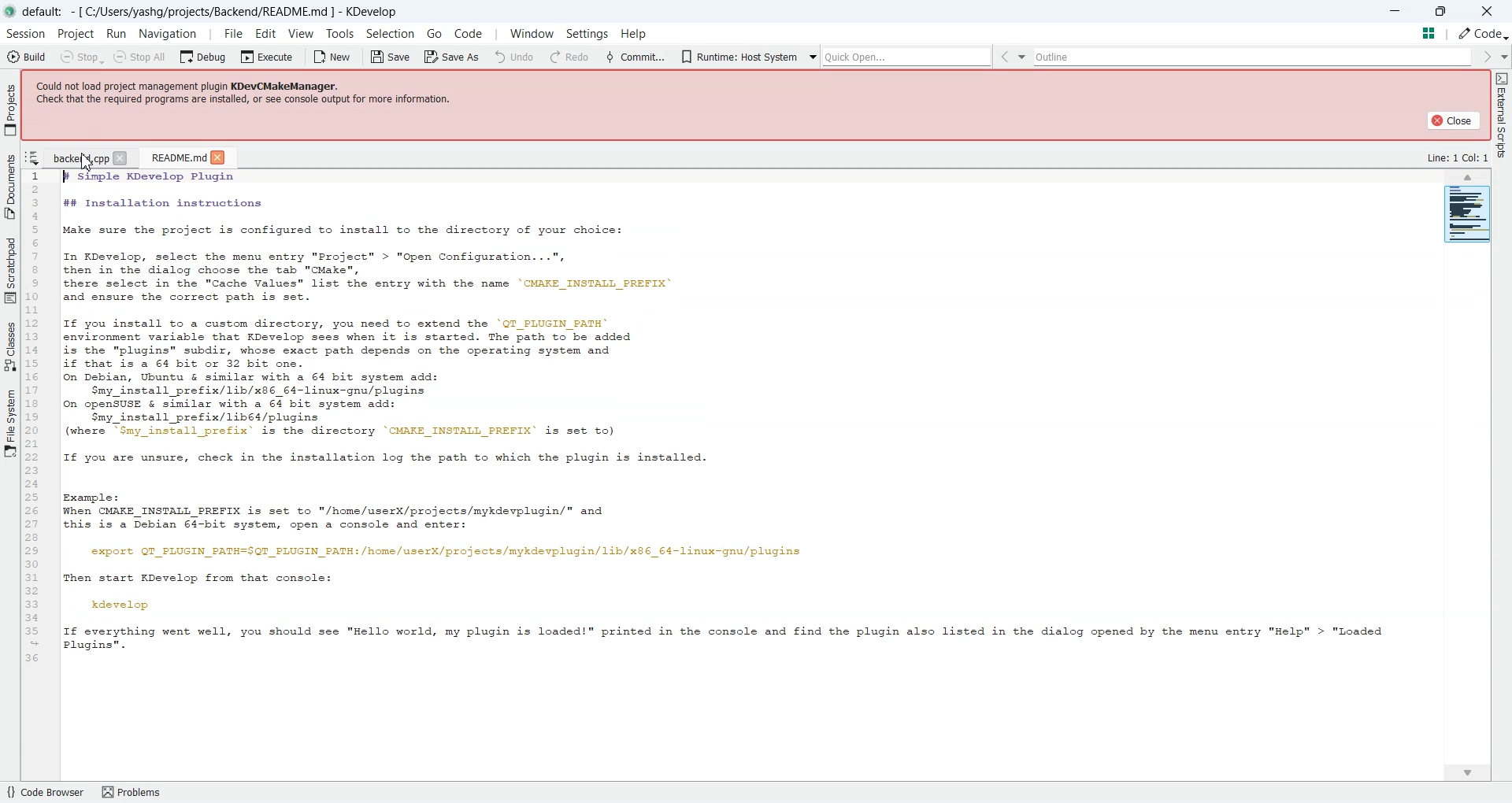 Image resolution: width=1512 pixels, height=803 pixels. I want to click on Could not load project management plugin KDevCMakeManager., so click(196, 84).